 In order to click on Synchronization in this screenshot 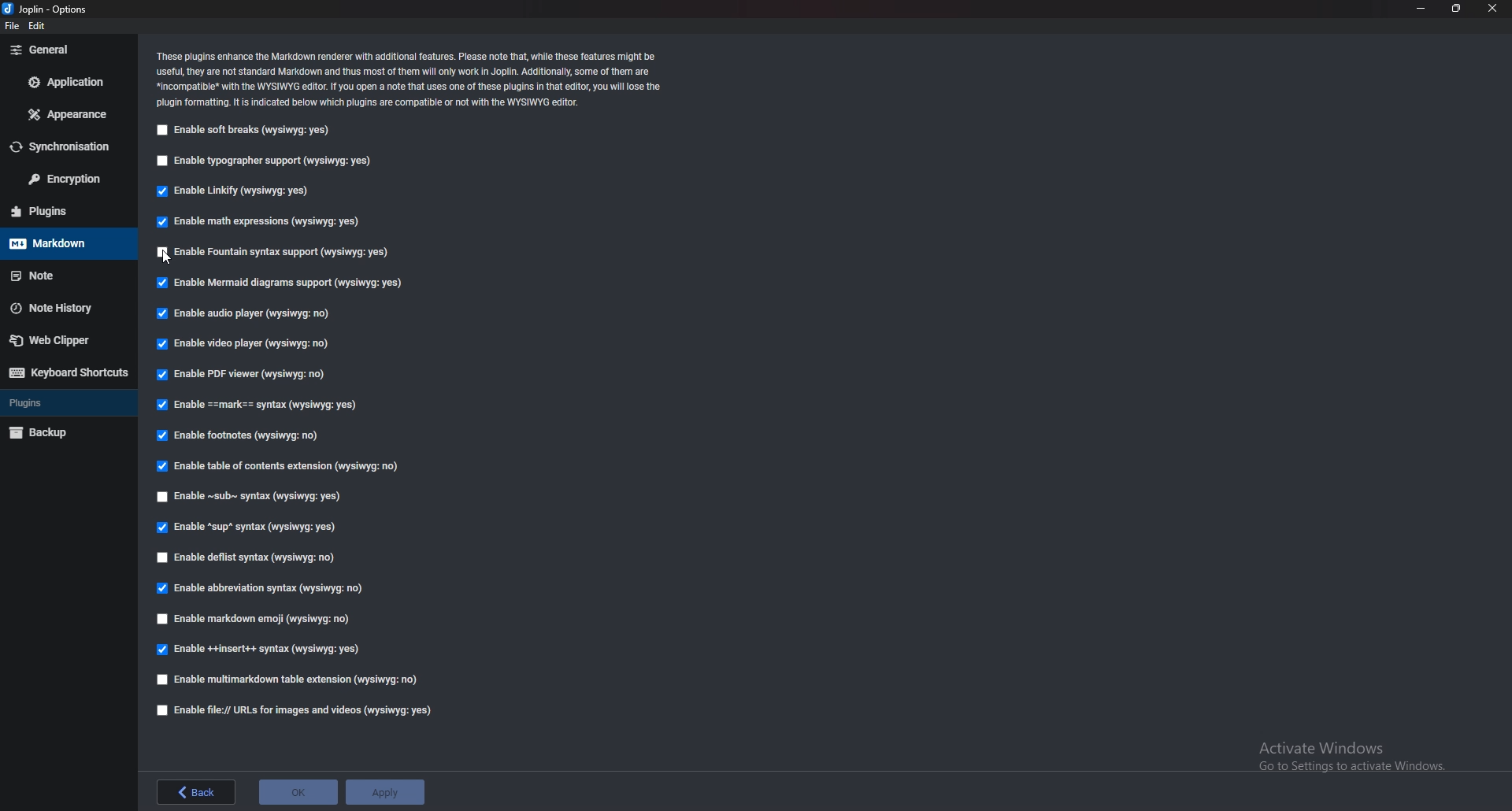, I will do `click(64, 147)`.